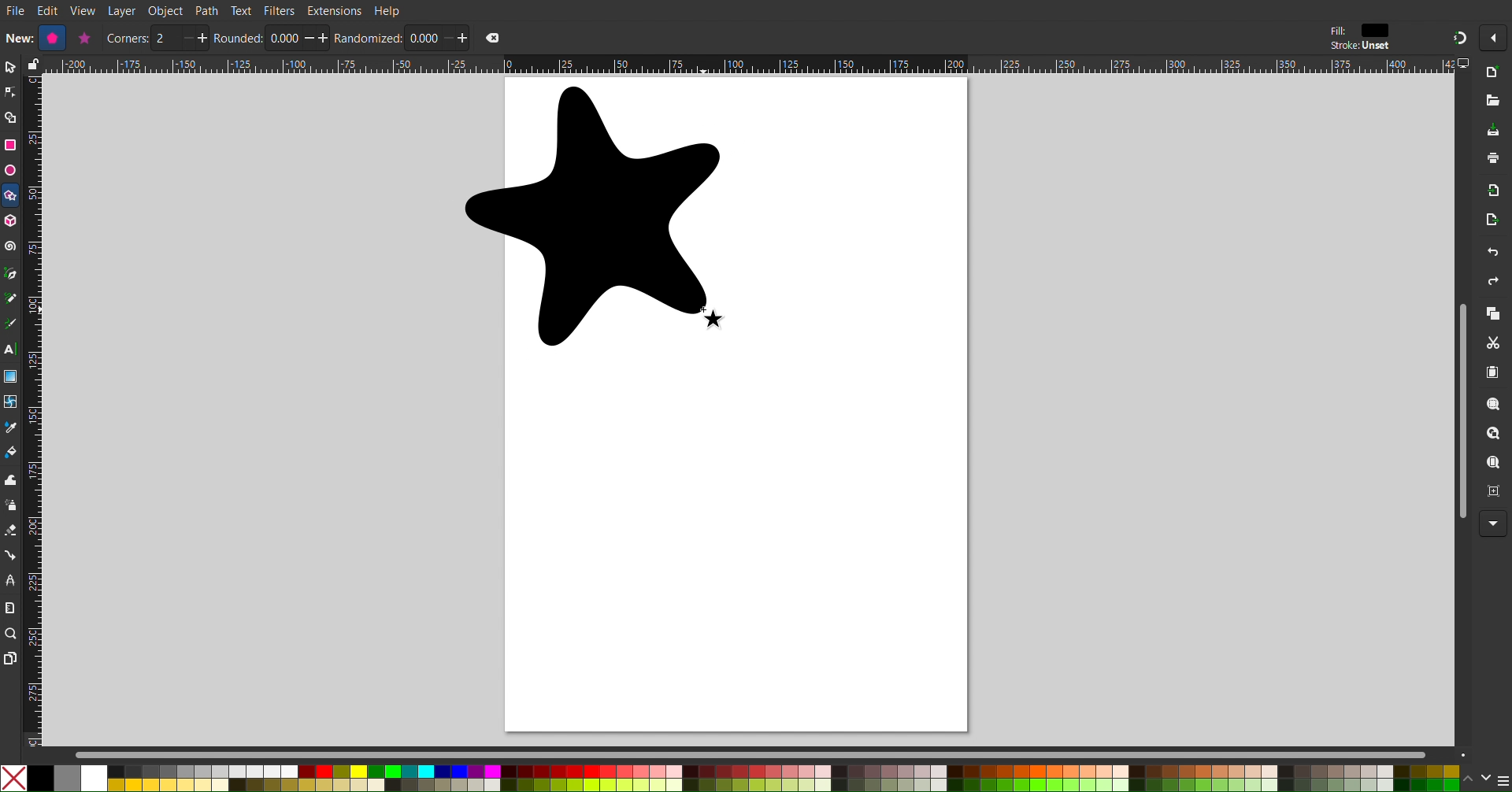 The height and width of the screenshot is (792, 1512). I want to click on Color Picker, so click(11, 429).